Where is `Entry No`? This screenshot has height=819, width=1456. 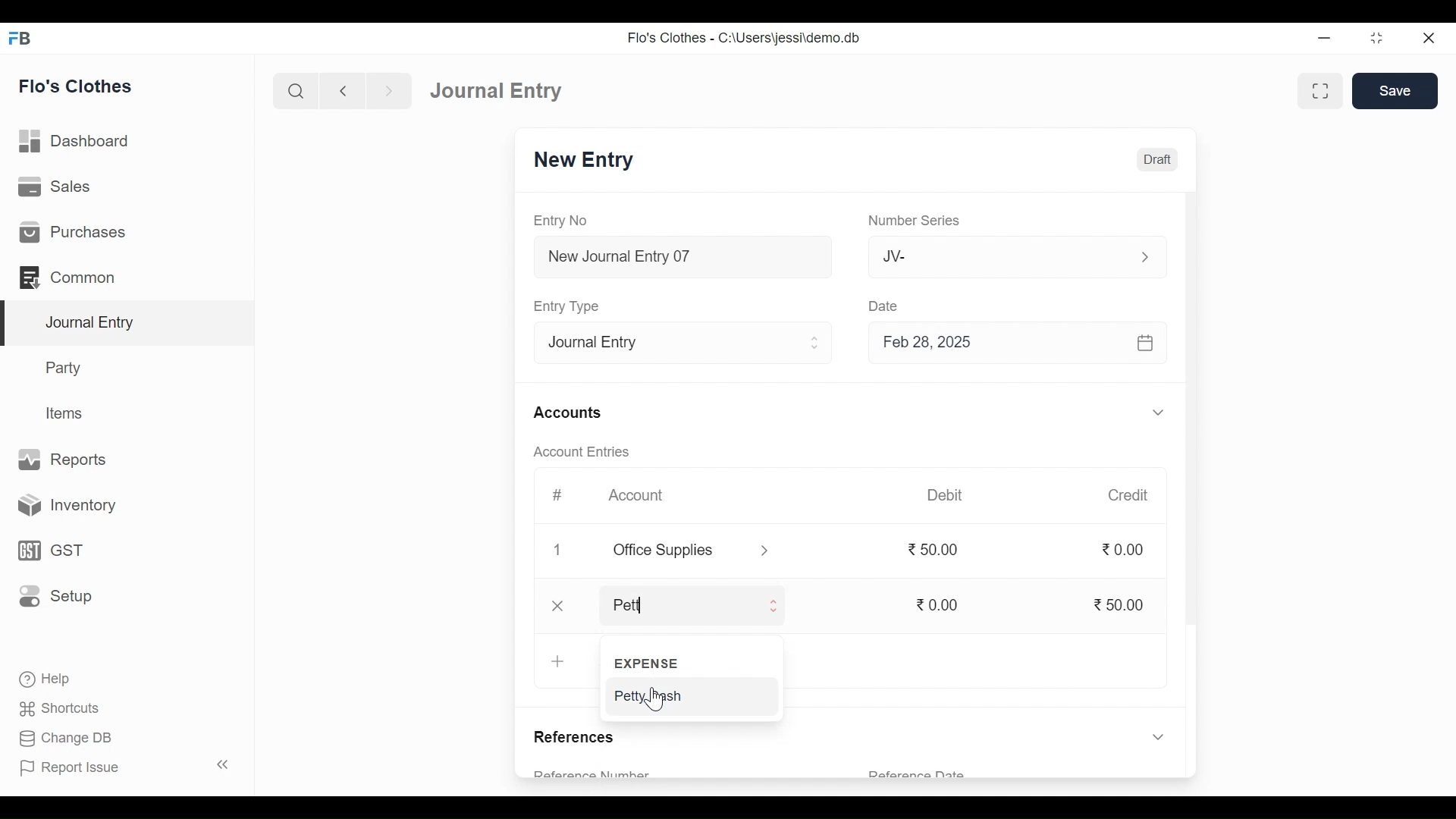 Entry No is located at coordinates (560, 220).